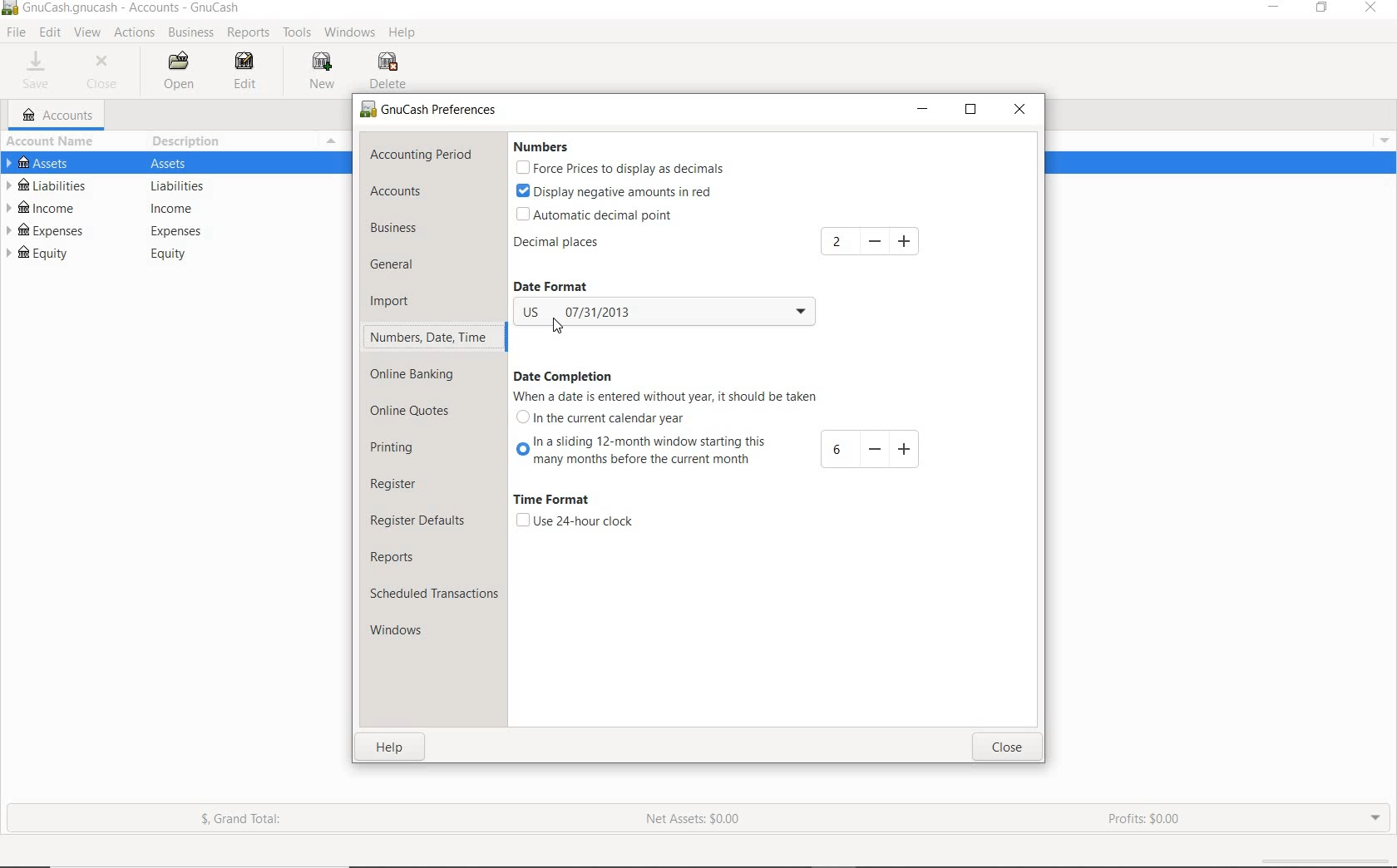  Describe the element at coordinates (59, 116) in the screenshot. I see `ACCOUNTS` at that location.